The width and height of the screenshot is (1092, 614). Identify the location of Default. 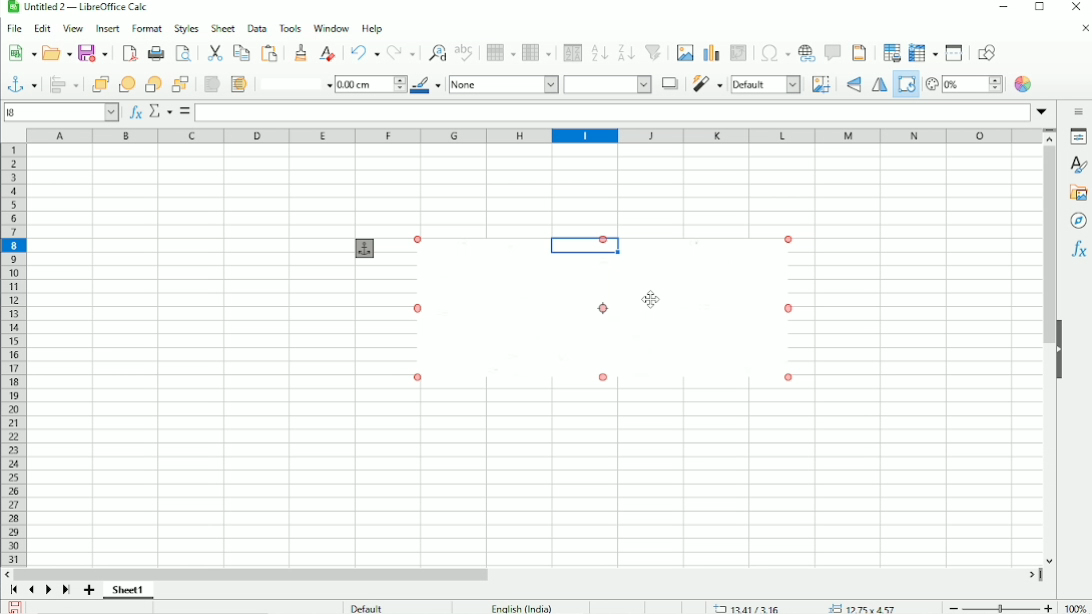
(767, 85).